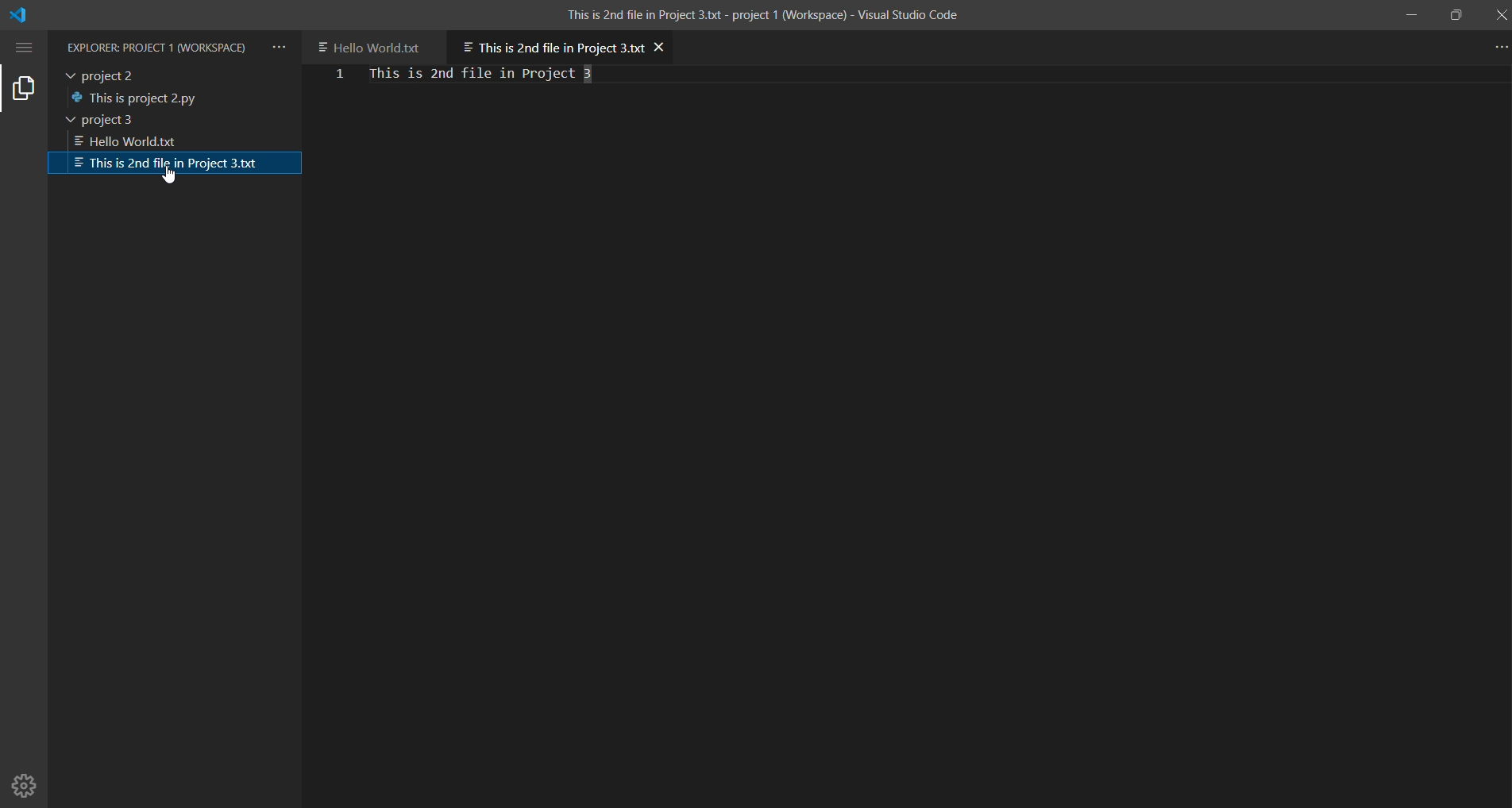 The image size is (1512, 808). Describe the element at coordinates (172, 75) in the screenshot. I see `project 2` at that location.